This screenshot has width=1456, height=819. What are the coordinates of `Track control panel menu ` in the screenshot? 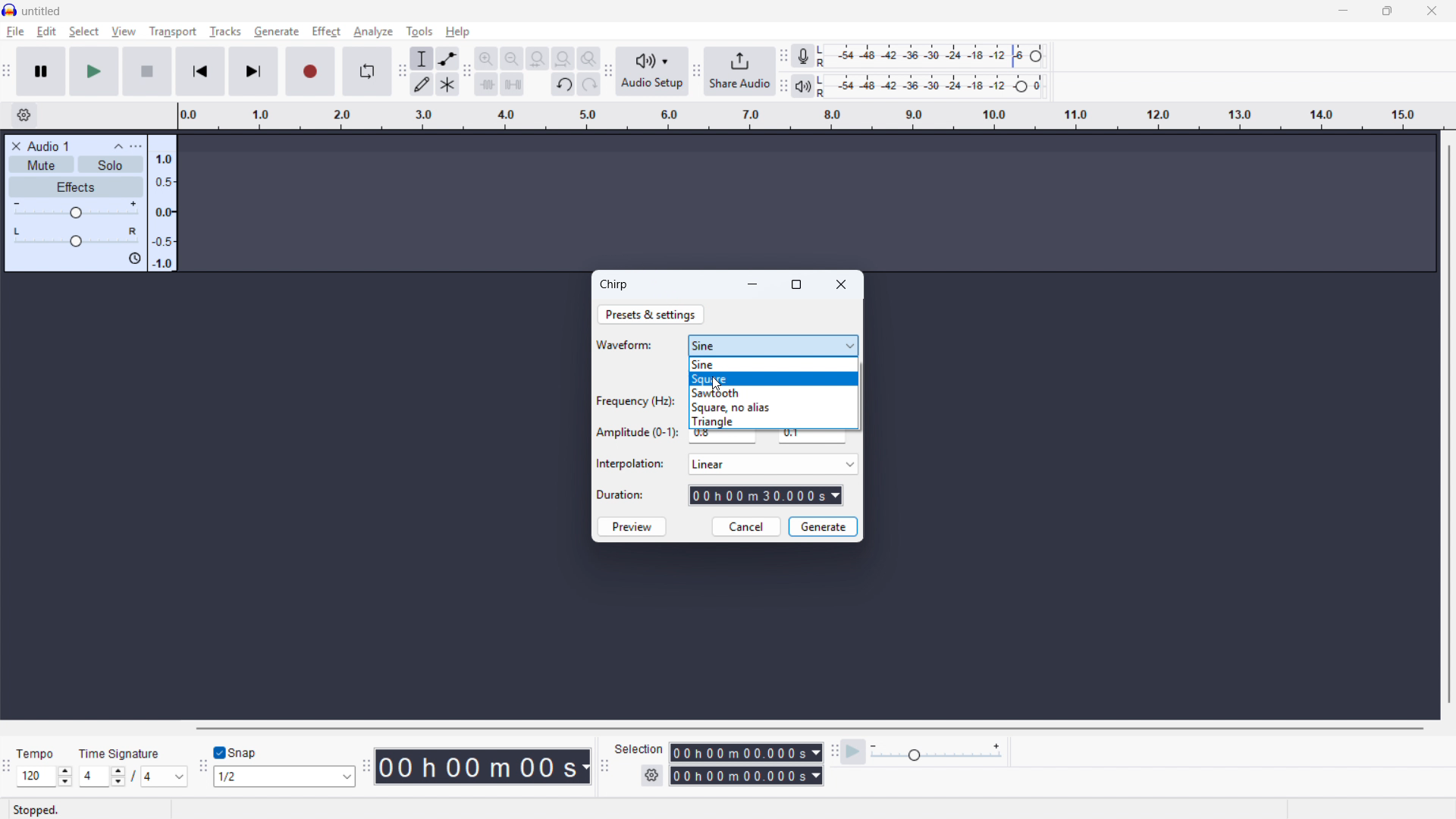 It's located at (135, 146).